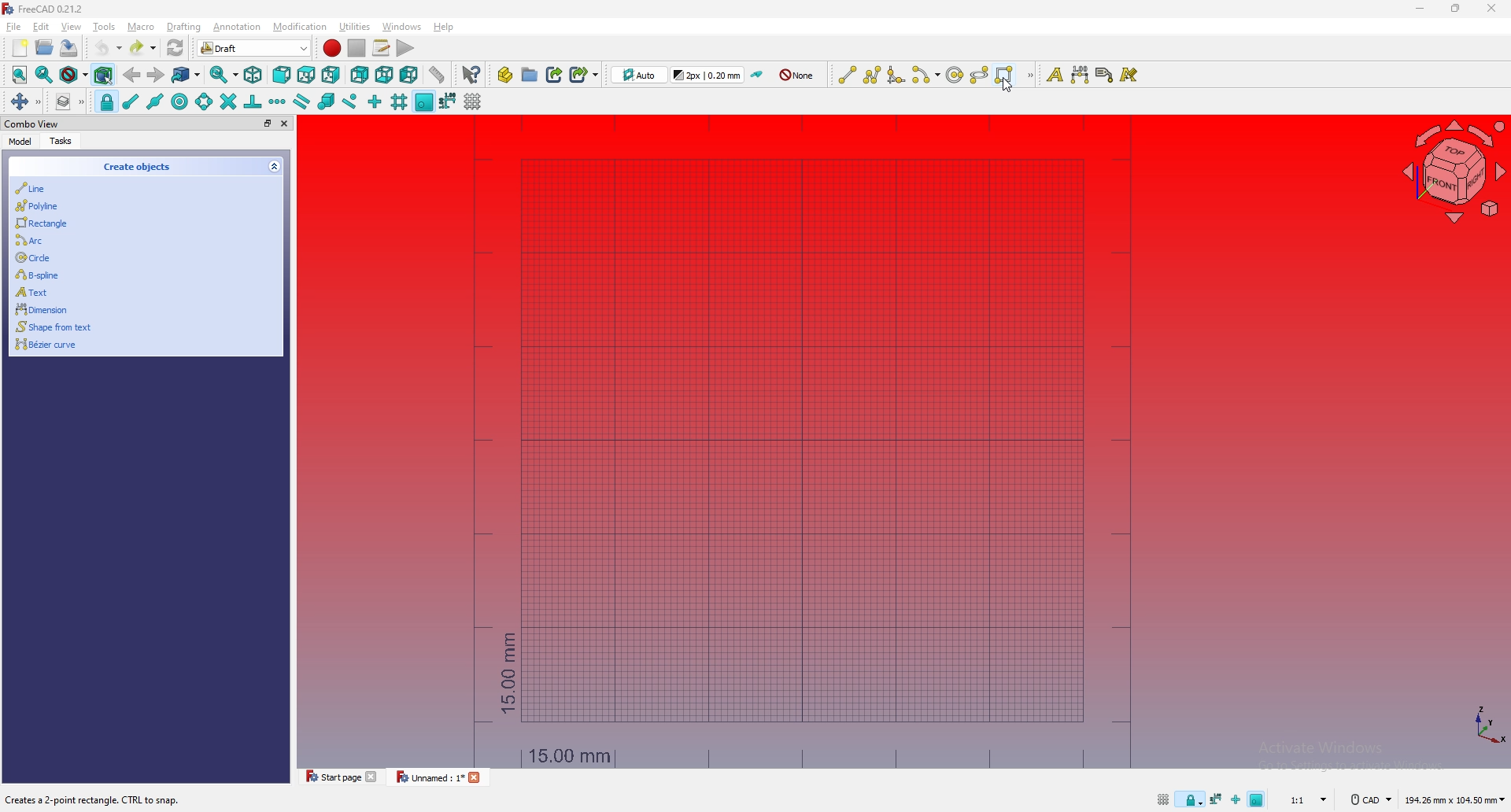 This screenshot has width=1511, height=812. I want to click on cad , so click(1369, 800).